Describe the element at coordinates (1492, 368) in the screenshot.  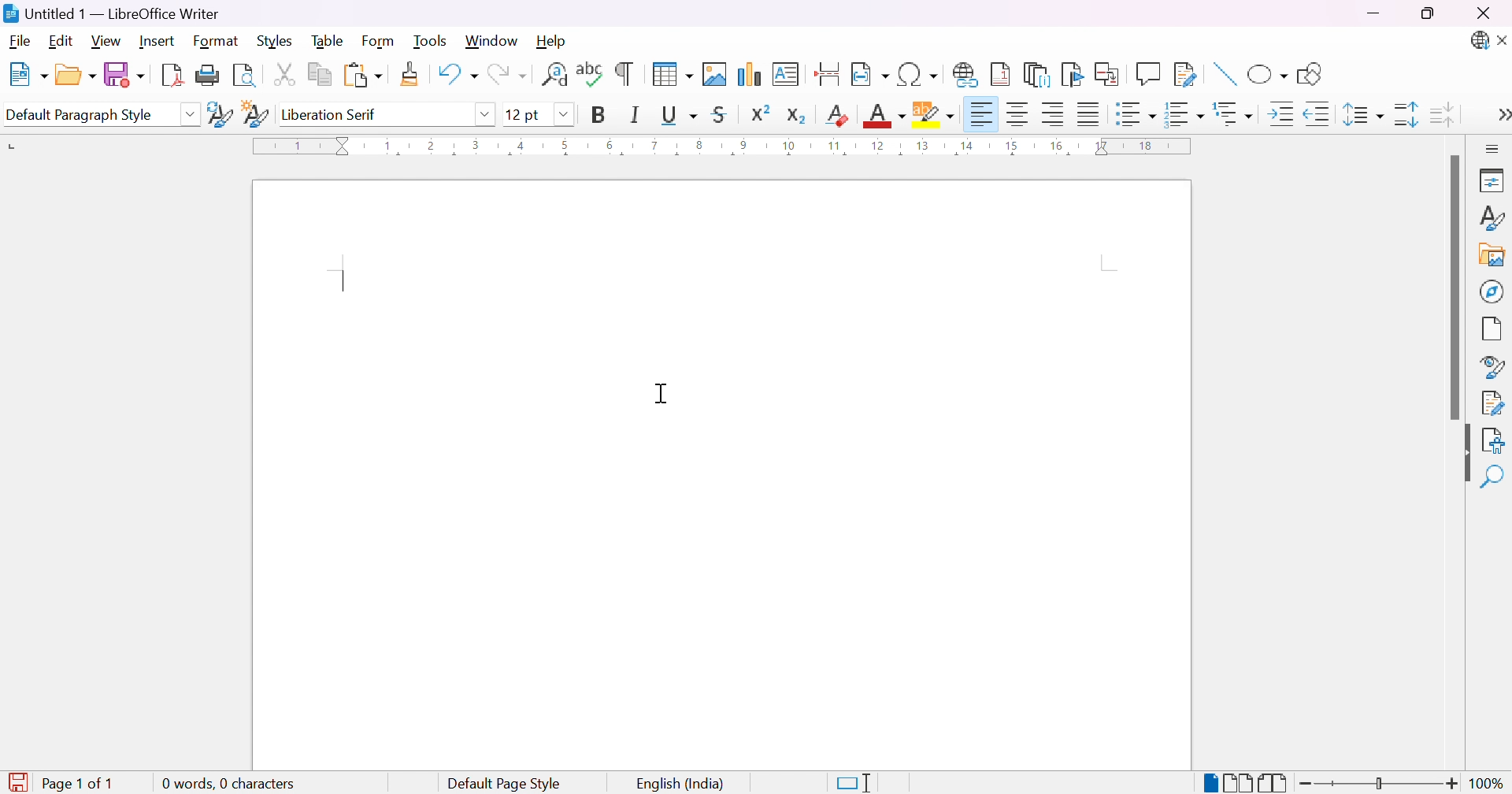
I see `Style inspector` at that location.